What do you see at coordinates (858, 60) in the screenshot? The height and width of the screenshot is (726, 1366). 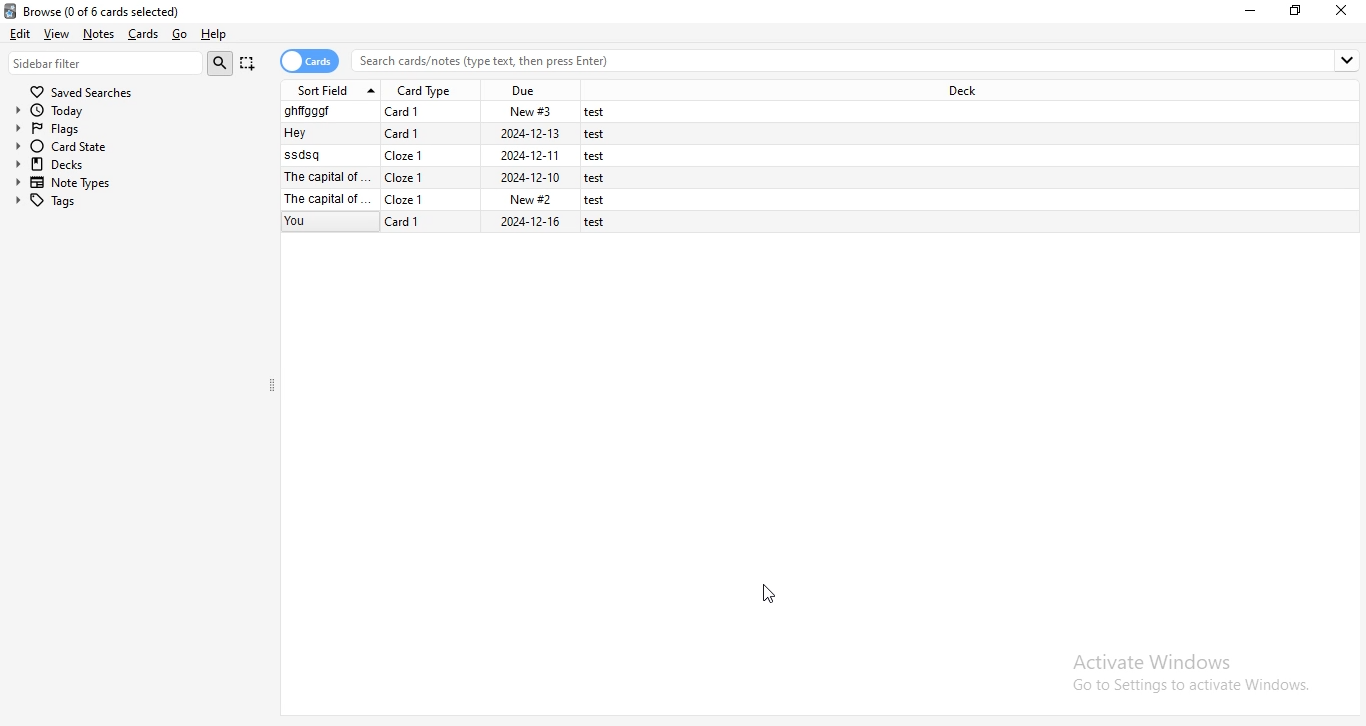 I see `search bar` at bounding box center [858, 60].